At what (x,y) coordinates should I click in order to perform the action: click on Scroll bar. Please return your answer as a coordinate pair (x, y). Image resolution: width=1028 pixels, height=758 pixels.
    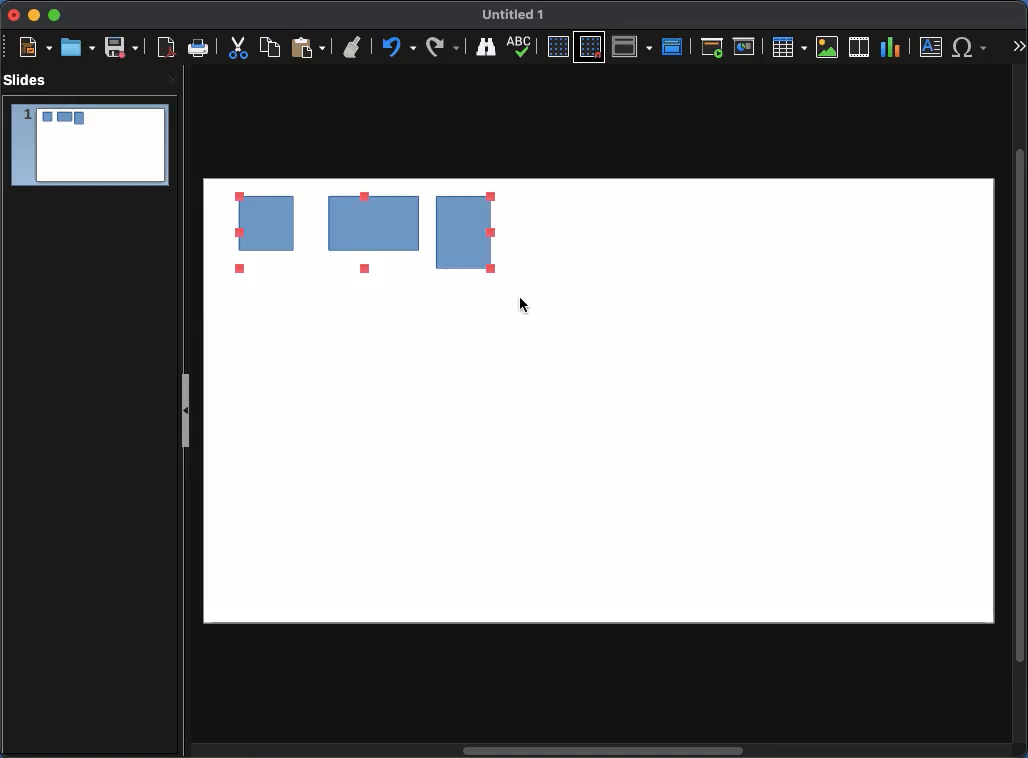
    Looking at the image, I should click on (607, 750).